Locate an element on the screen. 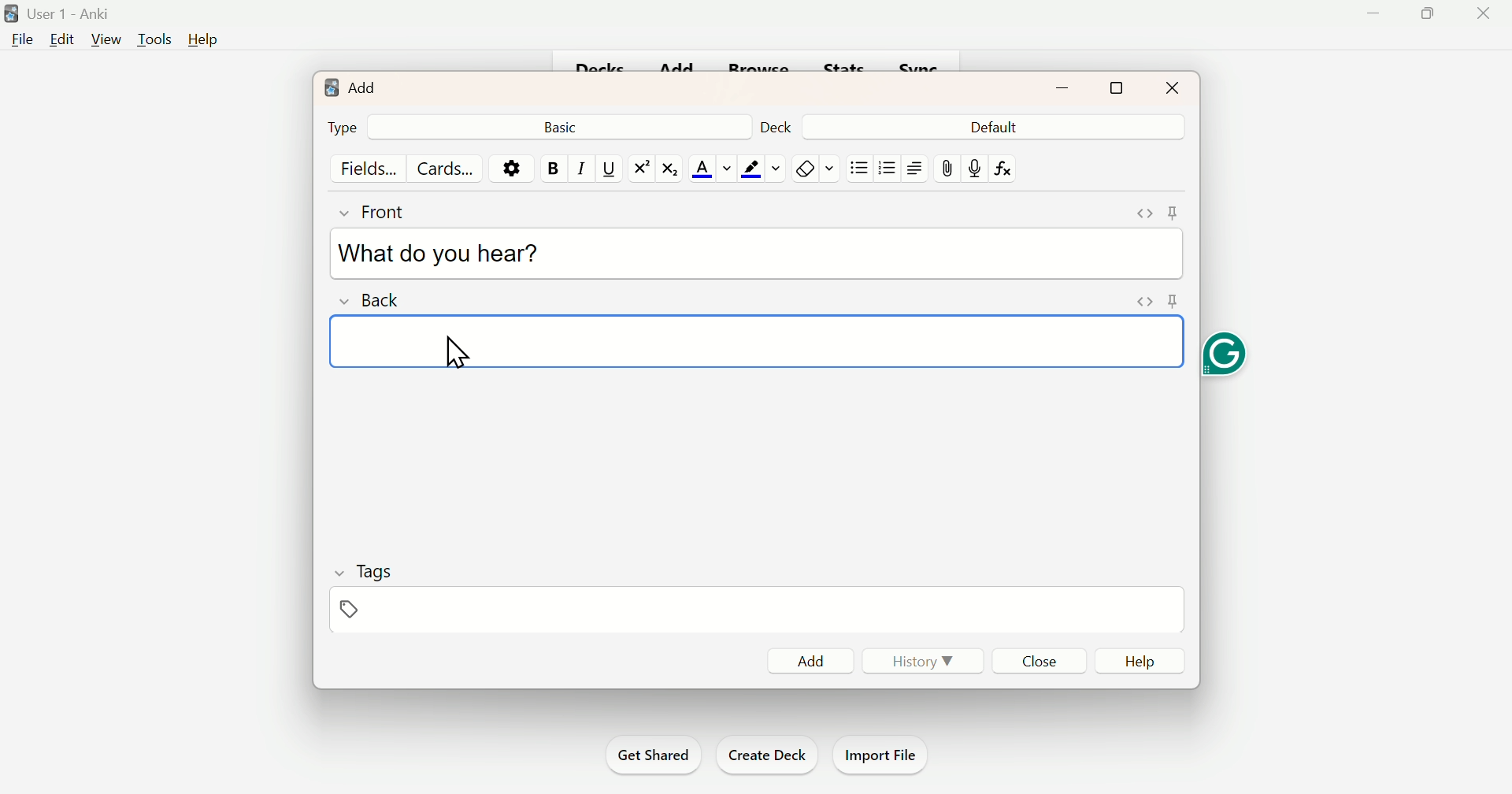 Image resolution: width=1512 pixels, height=794 pixels. History is located at coordinates (925, 662).